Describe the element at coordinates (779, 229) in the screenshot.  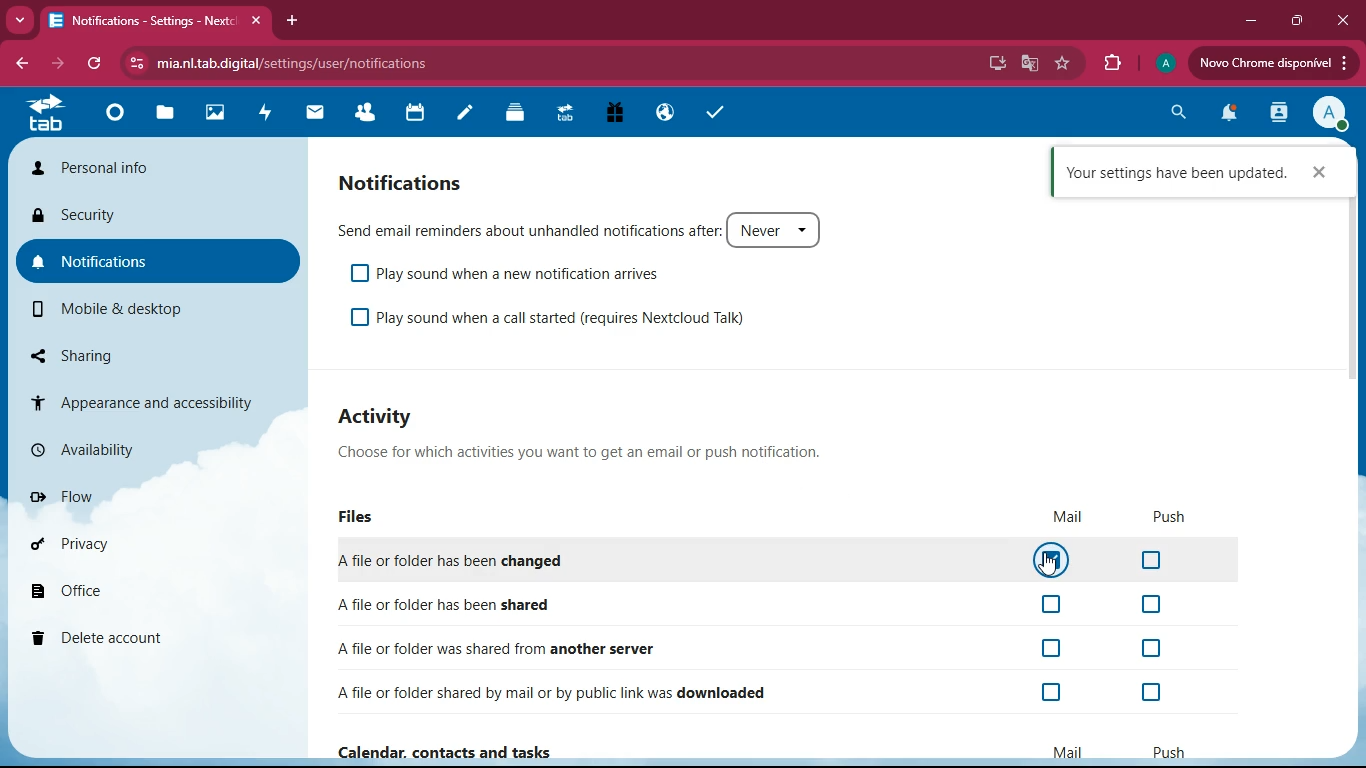
I see `never` at that location.